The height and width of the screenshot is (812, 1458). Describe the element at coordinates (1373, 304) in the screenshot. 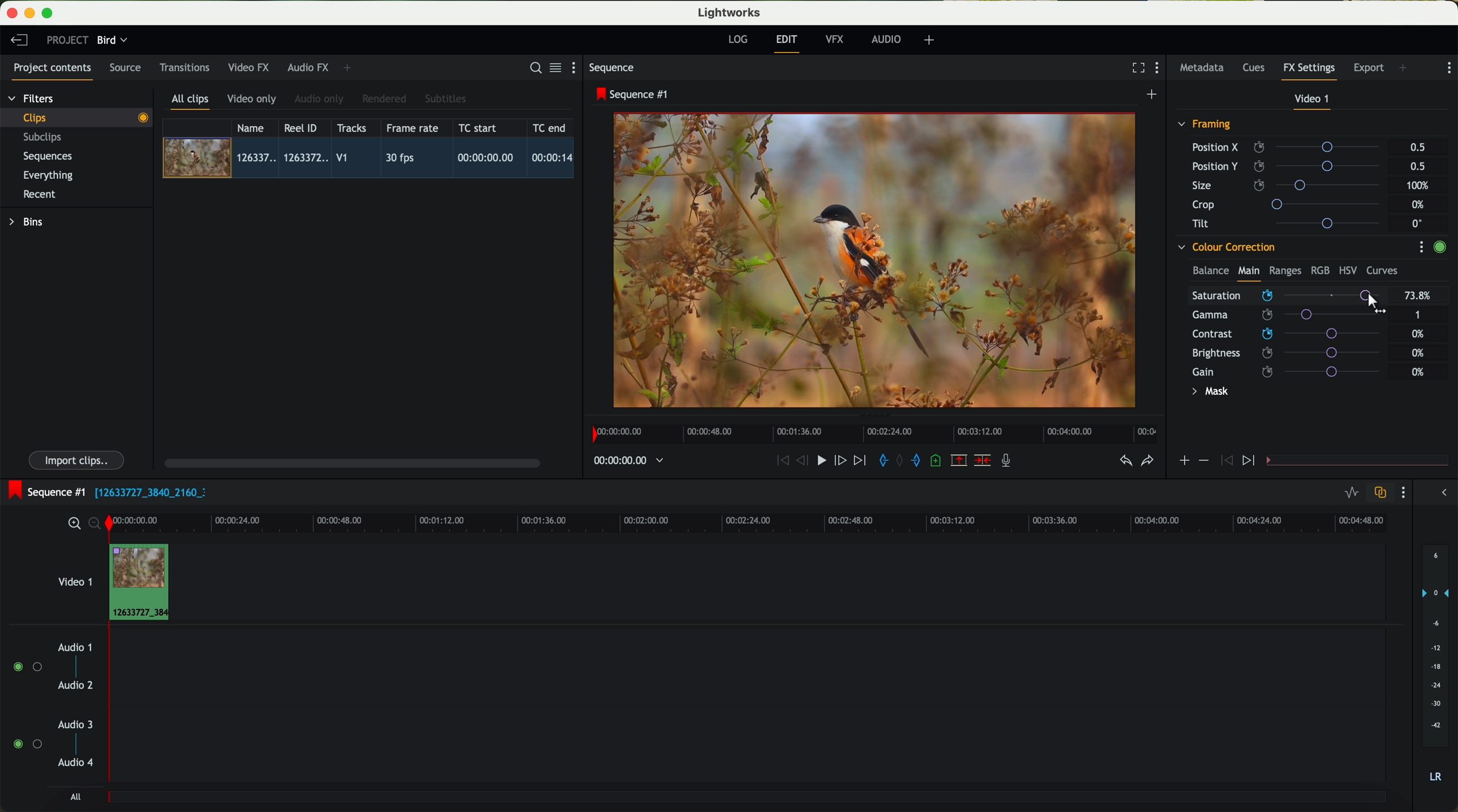

I see `Mouse Cursor` at that location.